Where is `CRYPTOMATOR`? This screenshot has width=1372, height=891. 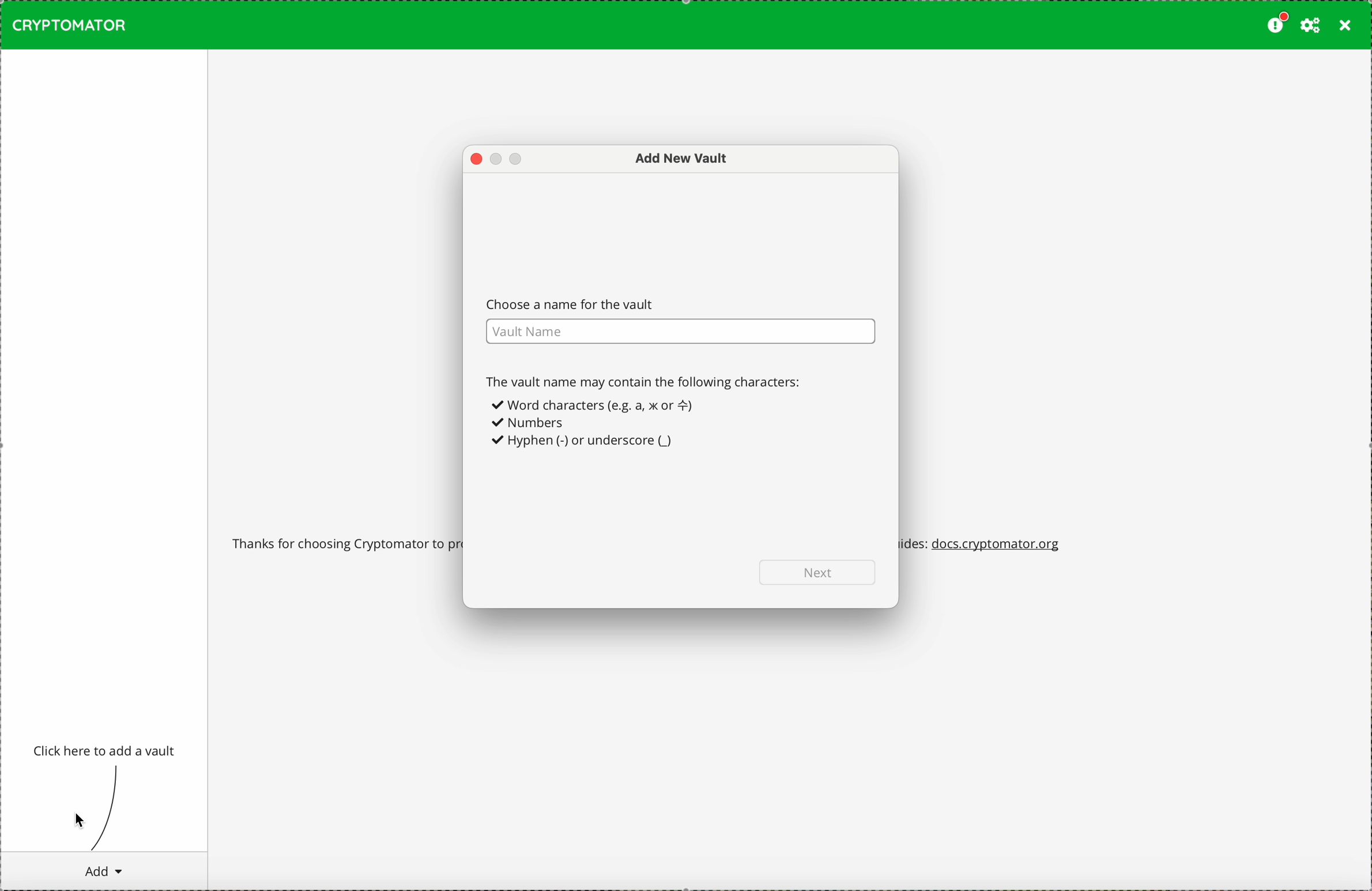
CRYPTOMATOR is located at coordinates (69, 25).